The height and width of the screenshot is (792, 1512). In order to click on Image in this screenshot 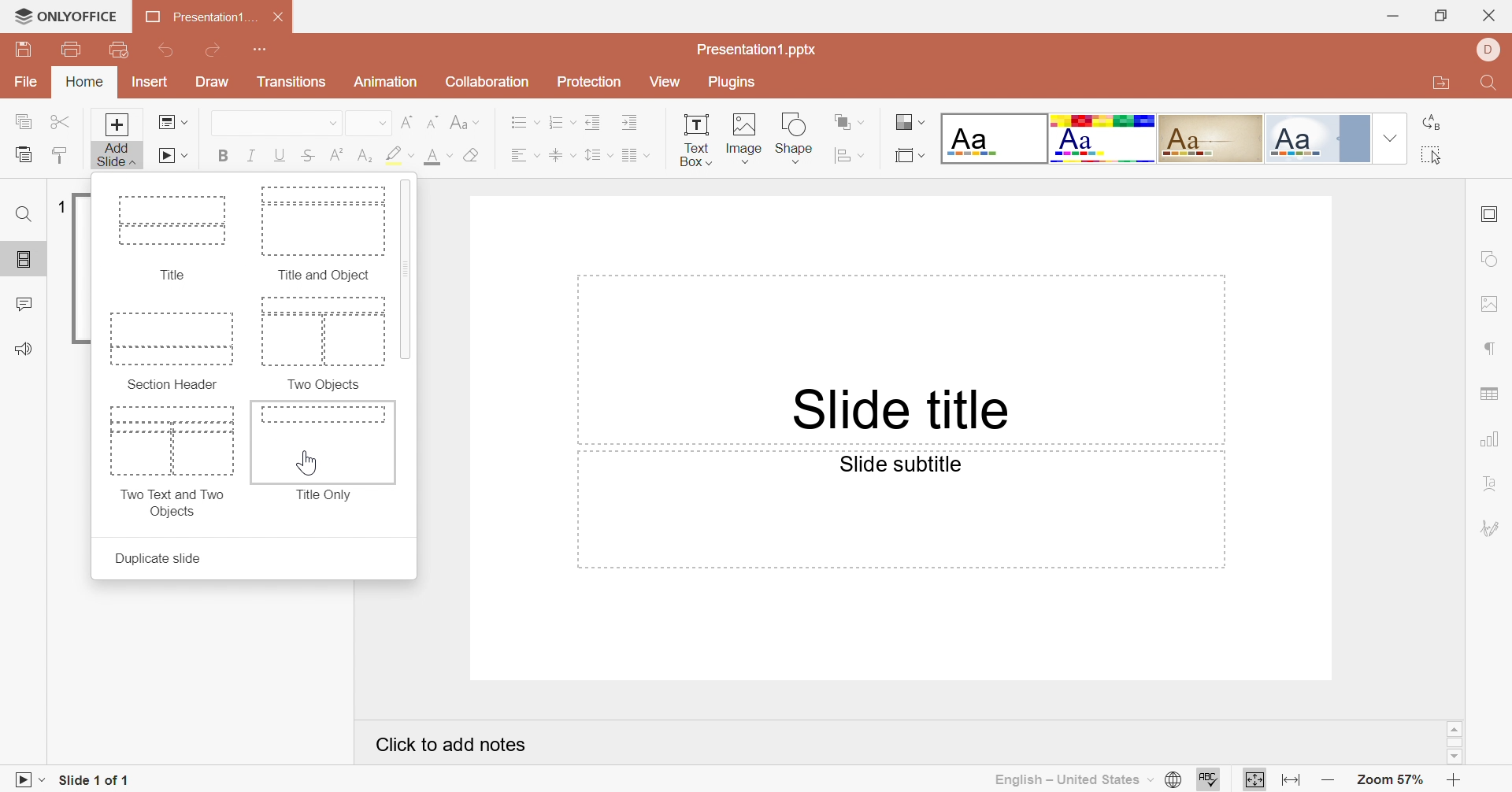, I will do `click(746, 135)`.